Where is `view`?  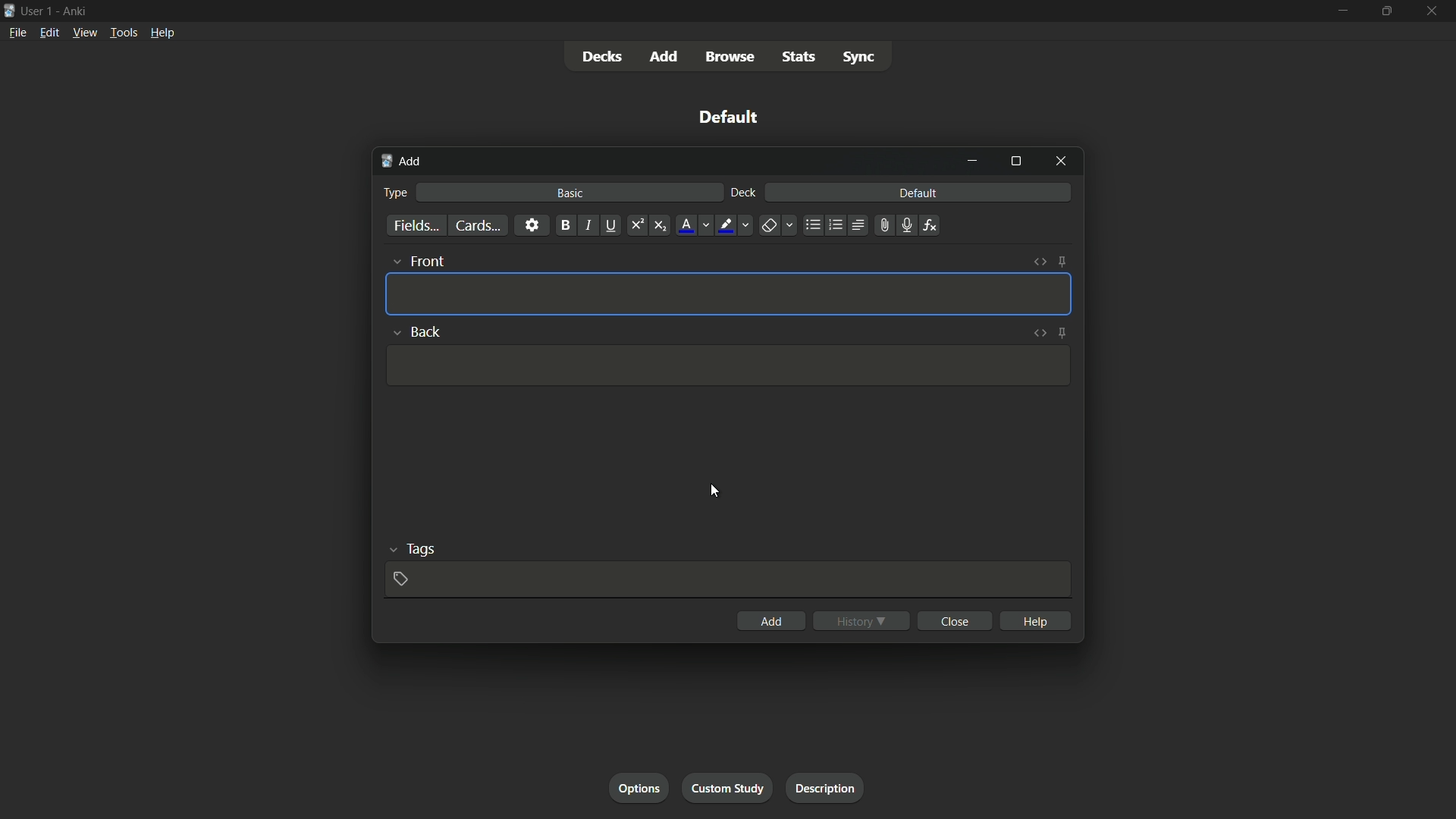
view is located at coordinates (85, 33).